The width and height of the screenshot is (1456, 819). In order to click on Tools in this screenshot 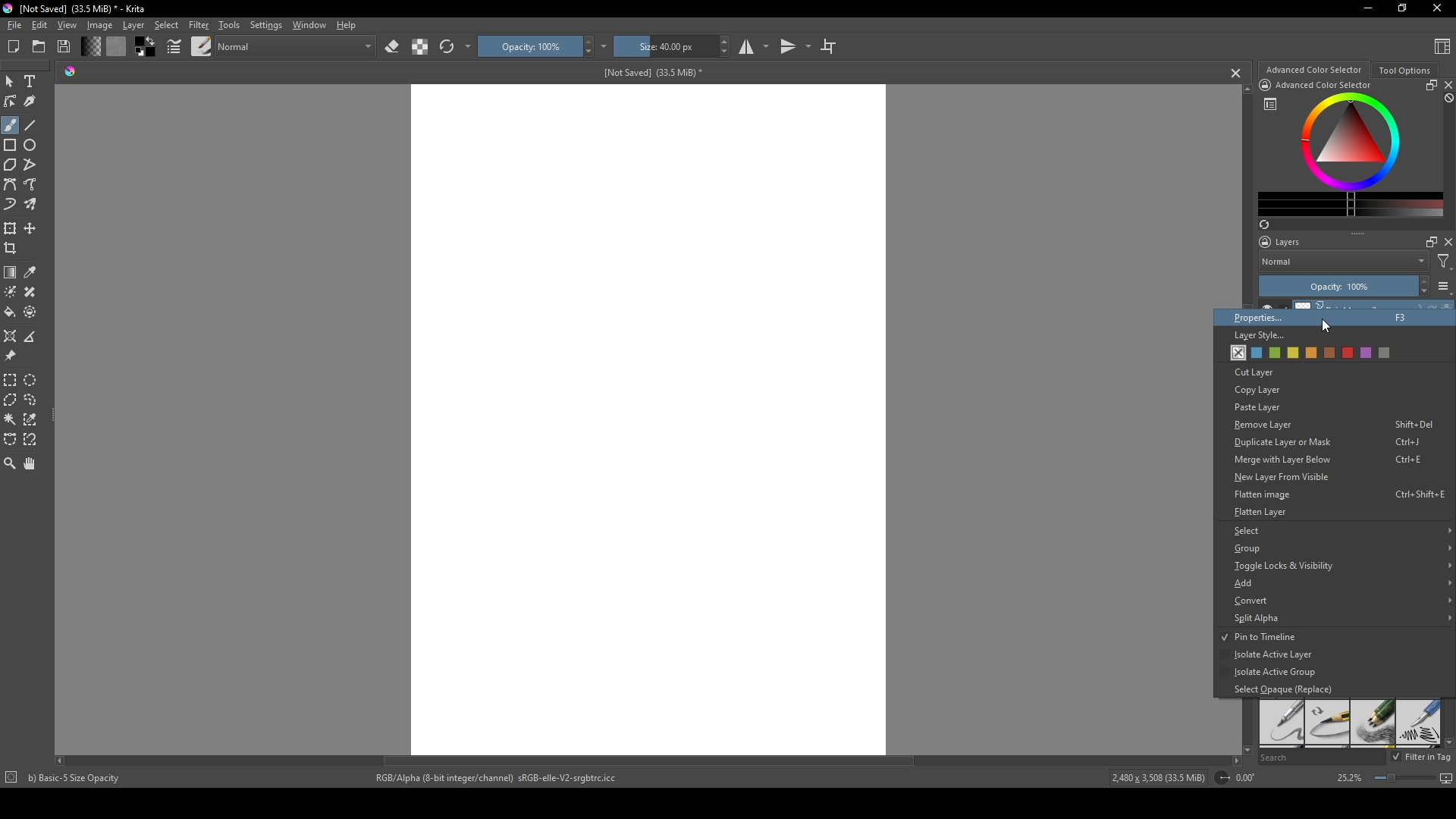, I will do `click(229, 24)`.